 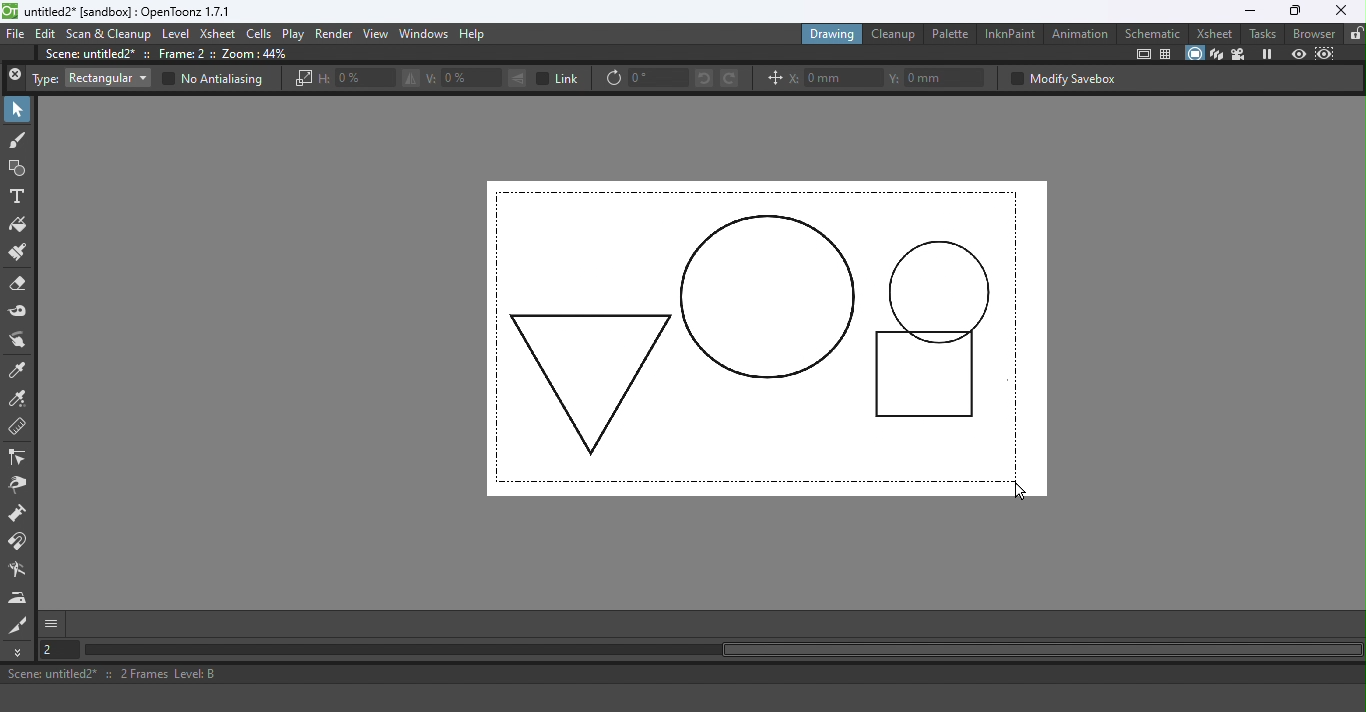 I want to click on Pump tool, so click(x=18, y=515).